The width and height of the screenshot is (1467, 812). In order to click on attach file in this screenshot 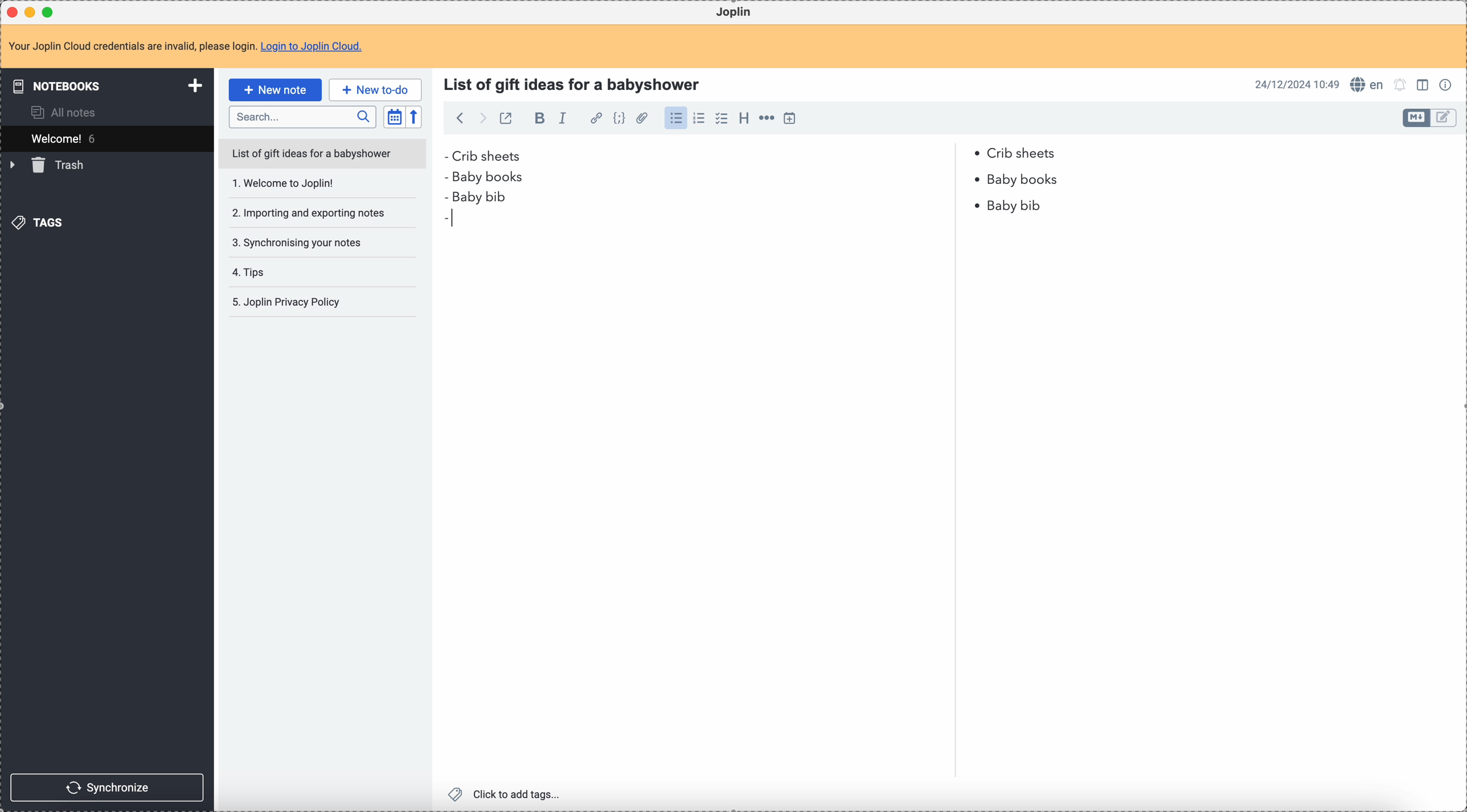, I will do `click(644, 119)`.